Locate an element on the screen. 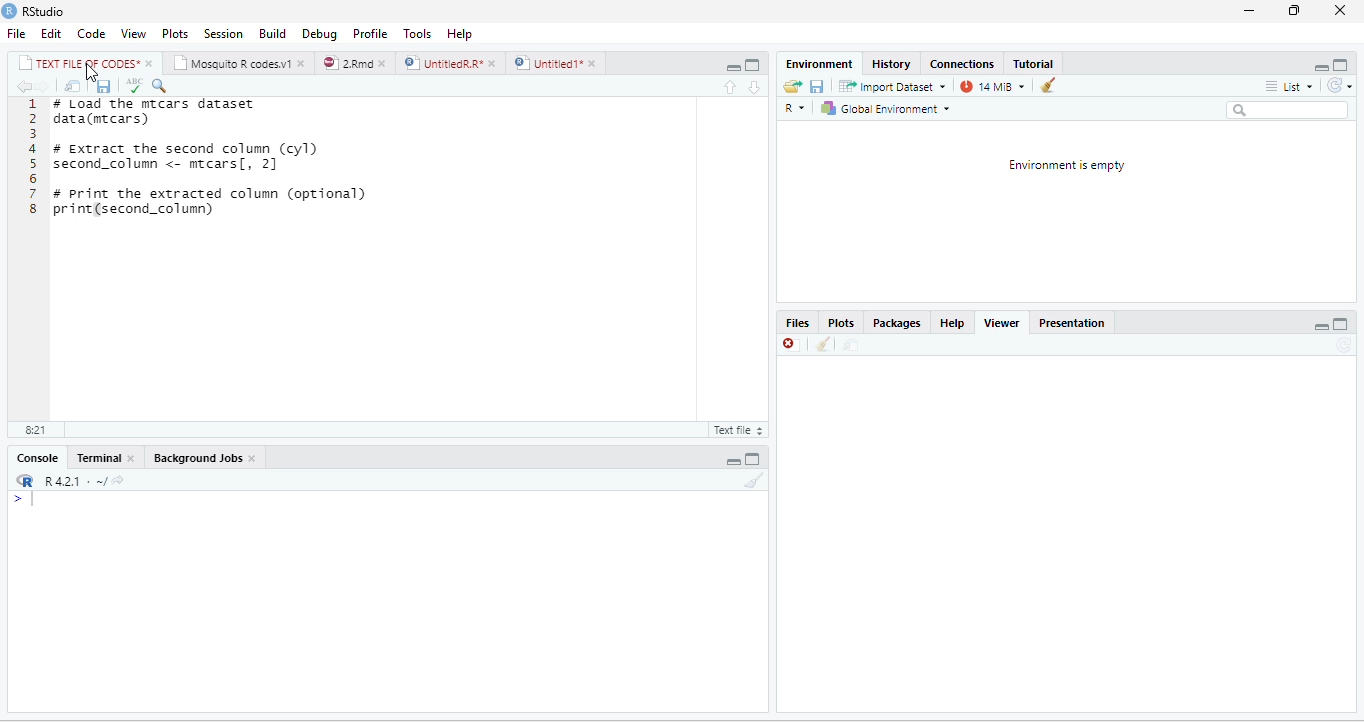 The width and height of the screenshot is (1364, 722). ‘Mosquito R codes.v1 is located at coordinates (232, 62).